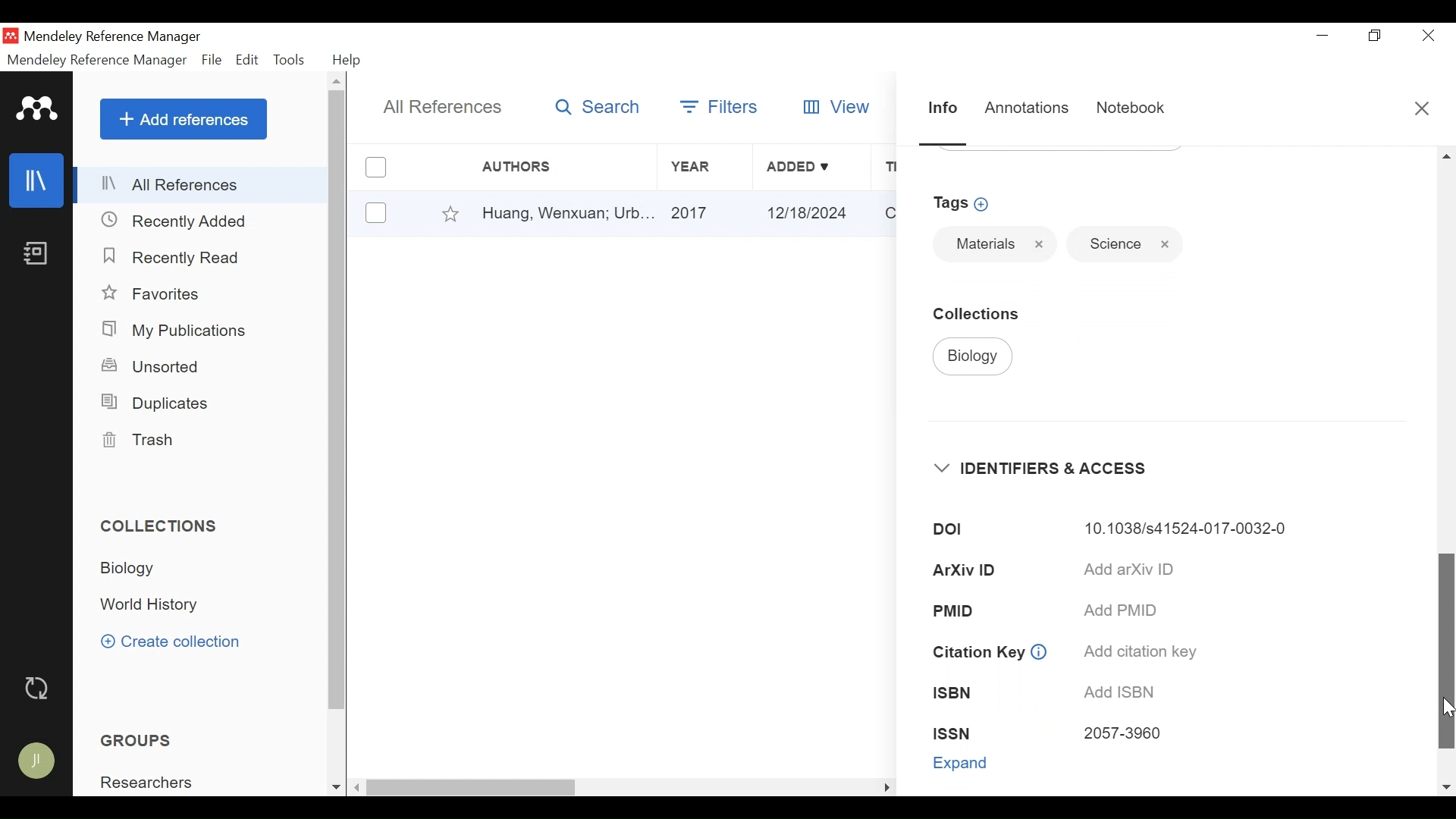 The image size is (1456, 819). What do you see at coordinates (144, 570) in the screenshot?
I see `Collection` at bounding box center [144, 570].